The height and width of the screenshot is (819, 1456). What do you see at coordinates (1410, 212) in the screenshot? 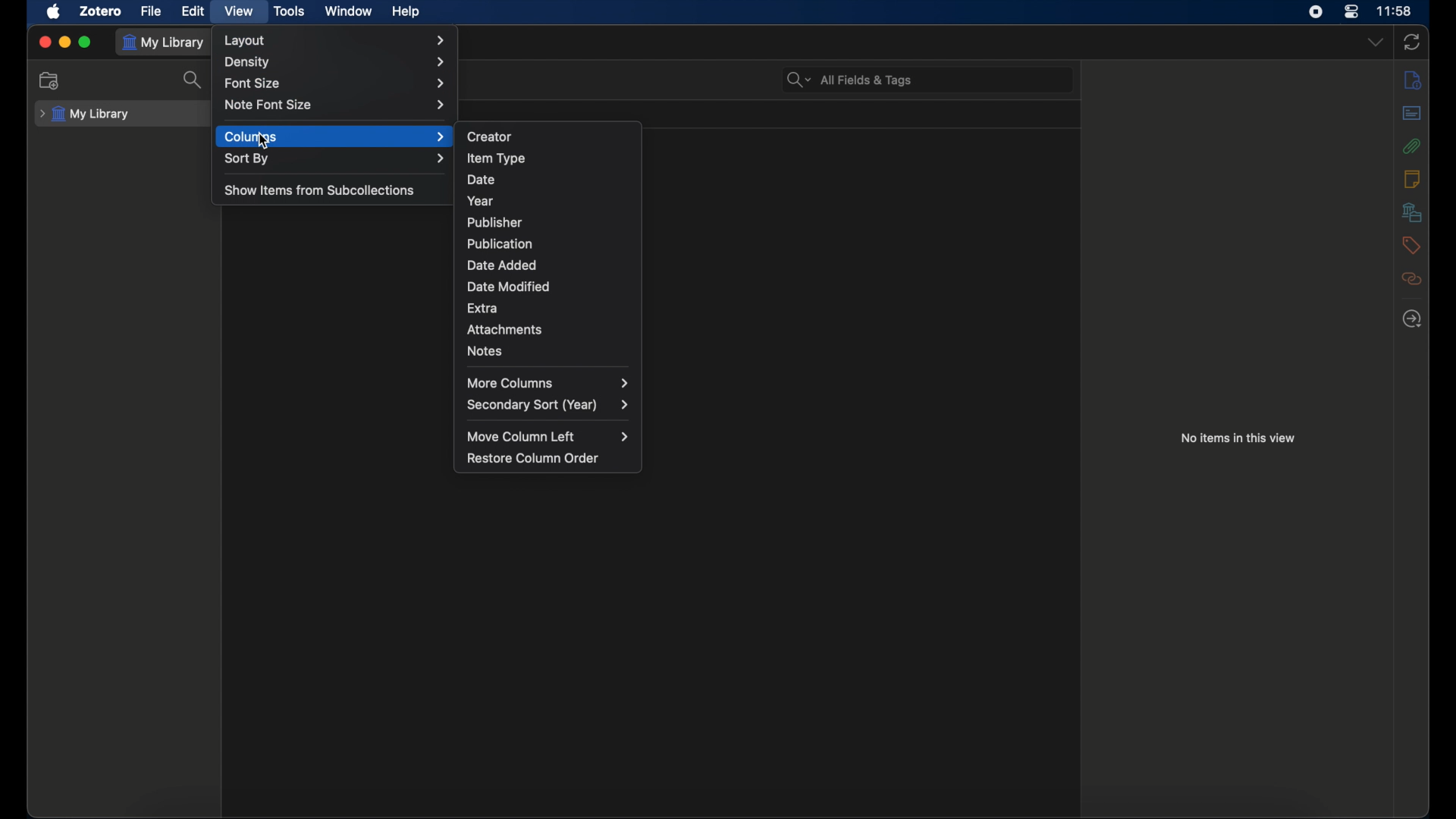
I see `libraries` at bounding box center [1410, 212].